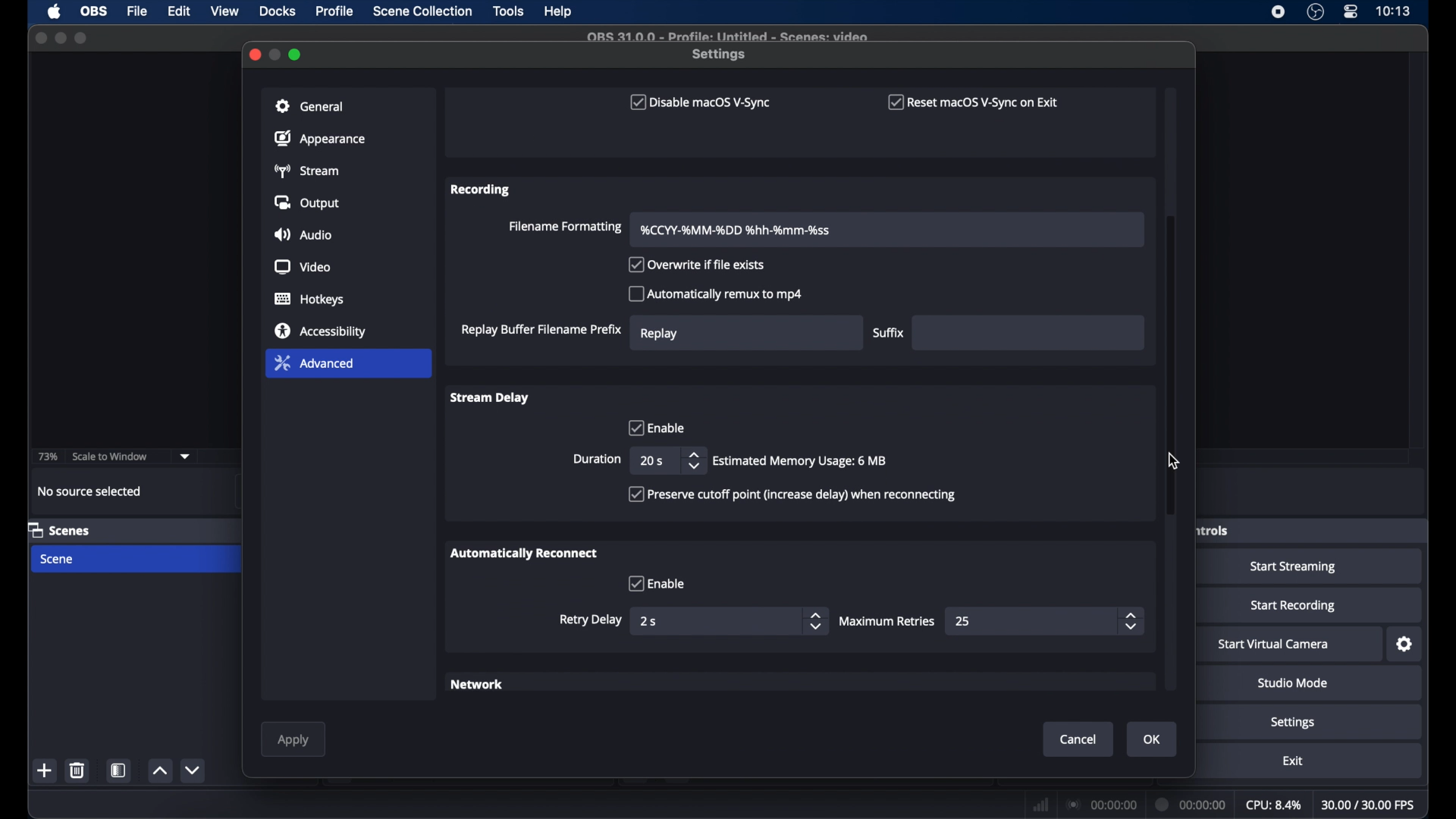  Describe the element at coordinates (974, 102) in the screenshot. I see `reset macOS V-sync on exit` at that location.